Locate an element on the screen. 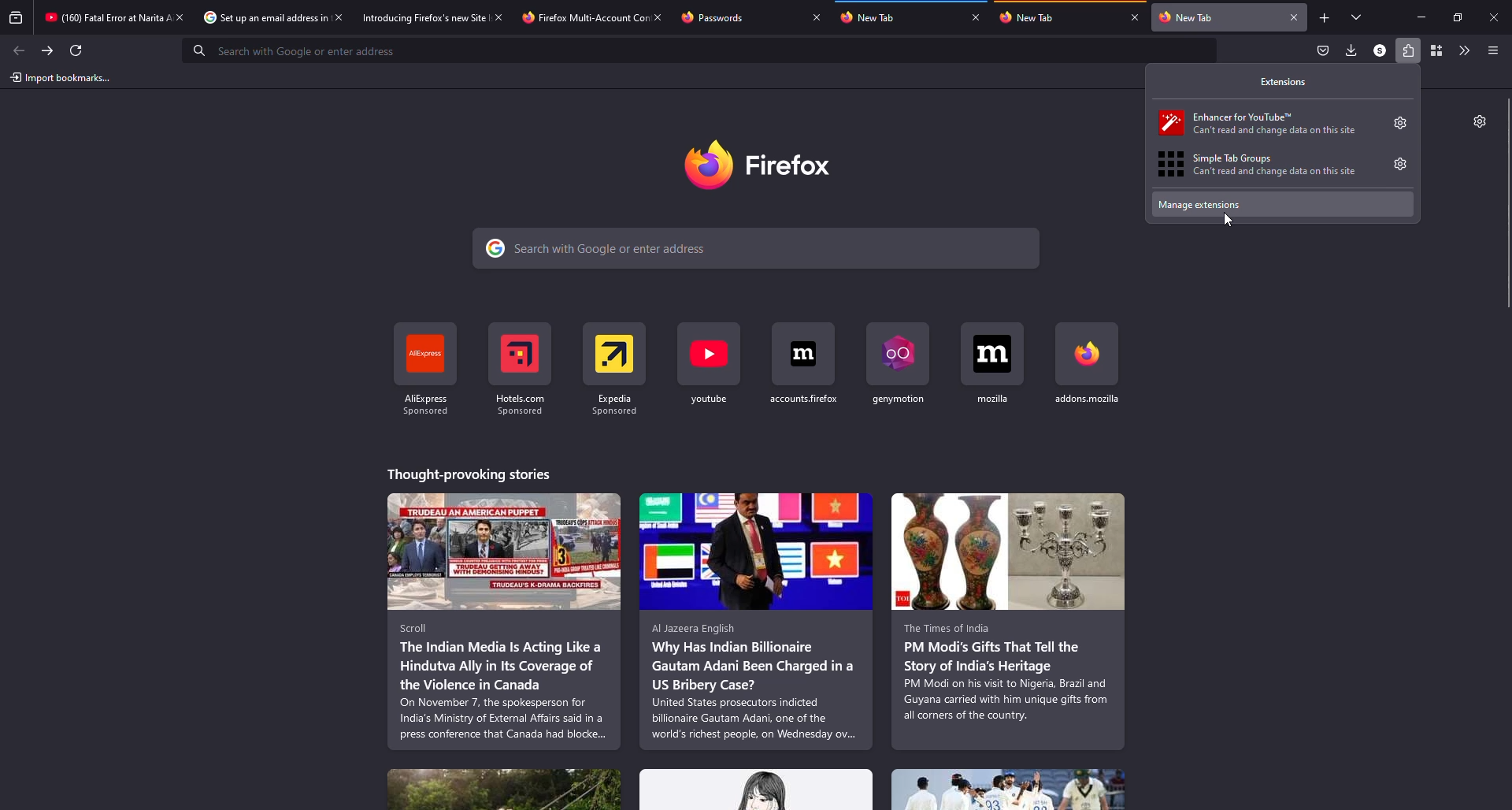  close is located at coordinates (180, 17).